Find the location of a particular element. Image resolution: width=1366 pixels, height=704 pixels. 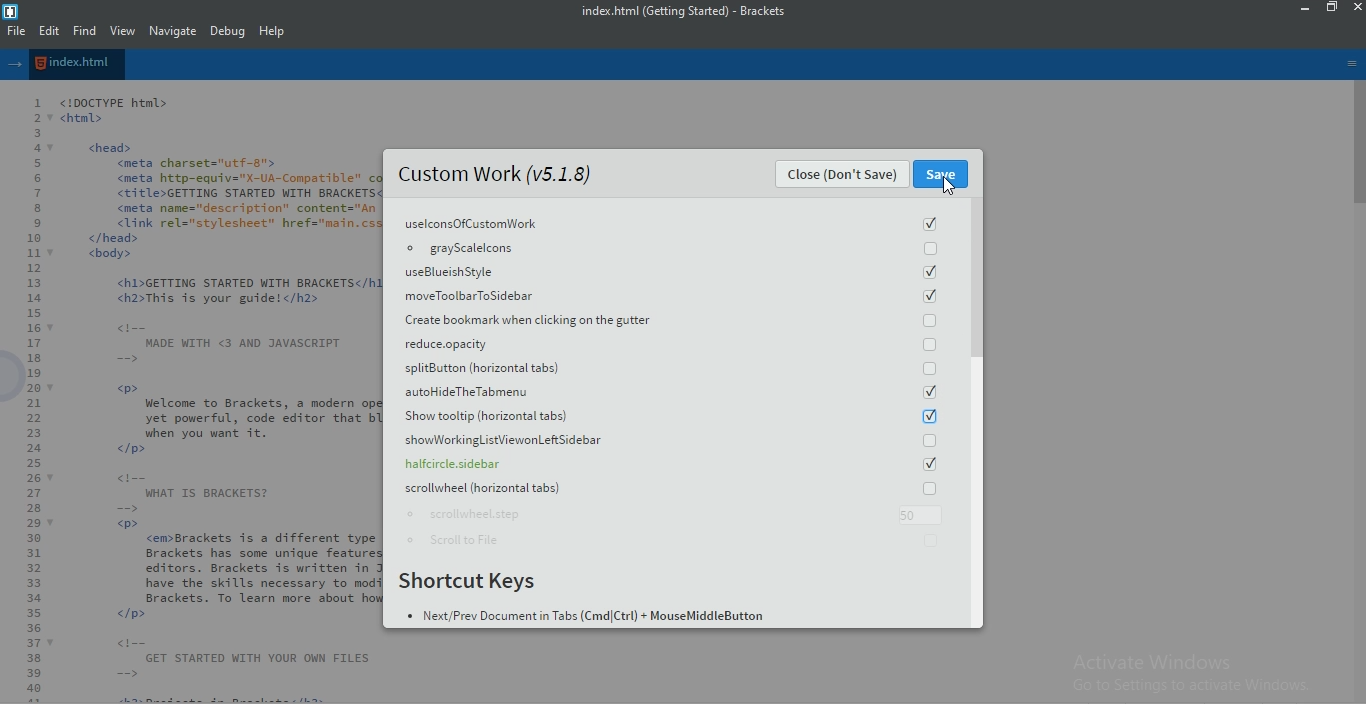

autohideTheTabmenu is located at coordinates (673, 392).